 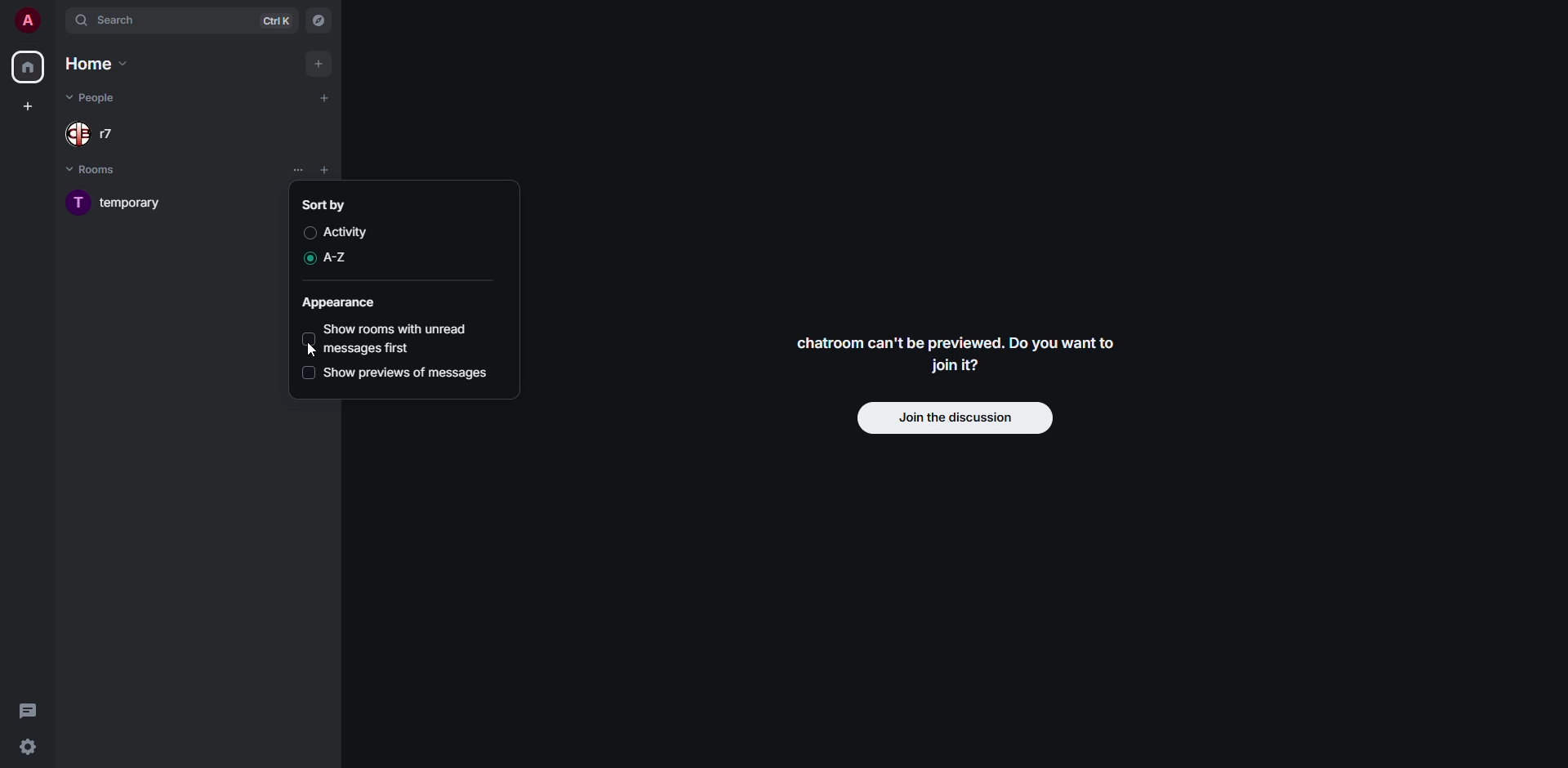 I want to click on add, so click(x=324, y=96).